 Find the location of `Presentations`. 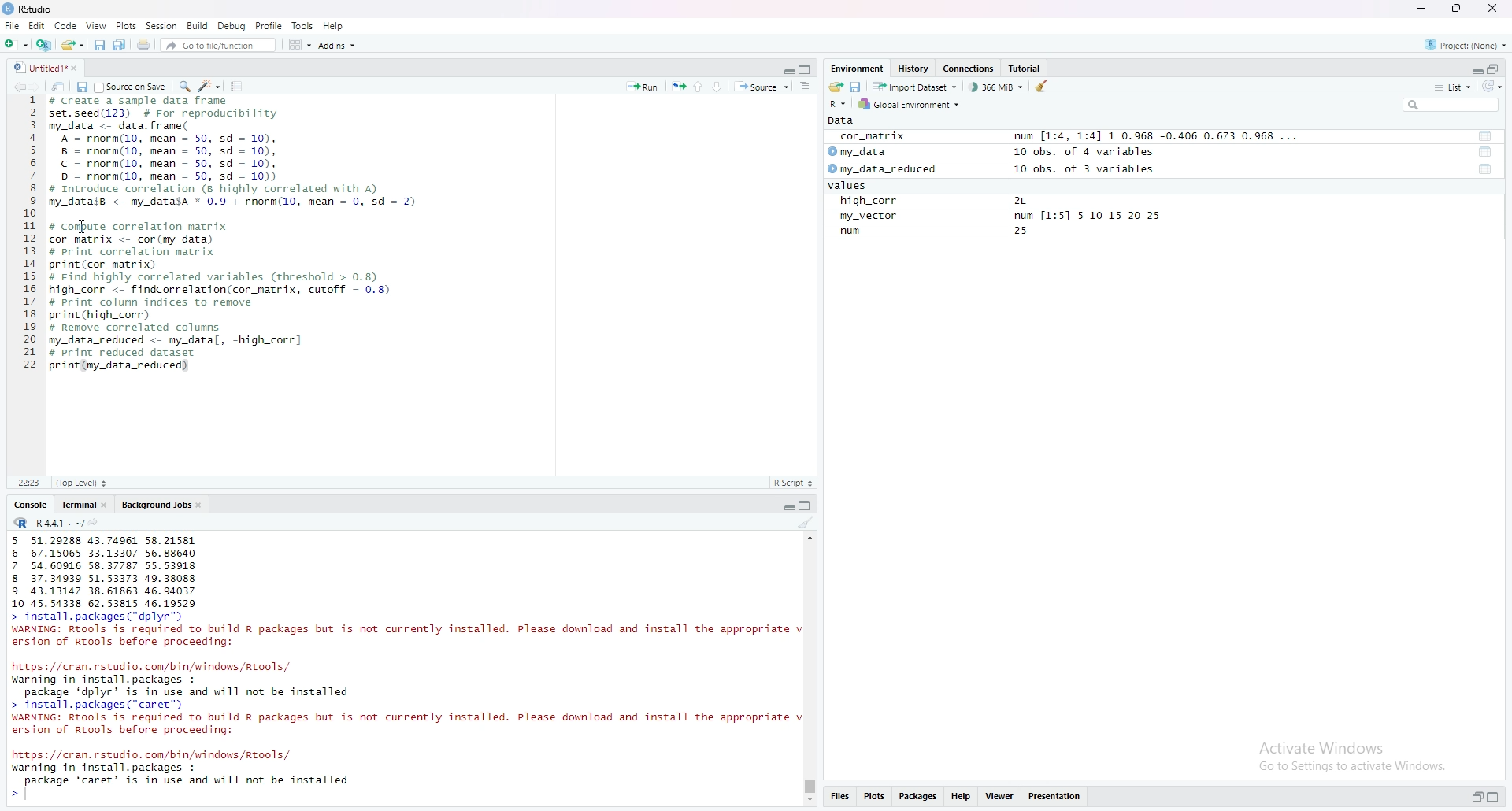

Presentations is located at coordinates (1056, 796).